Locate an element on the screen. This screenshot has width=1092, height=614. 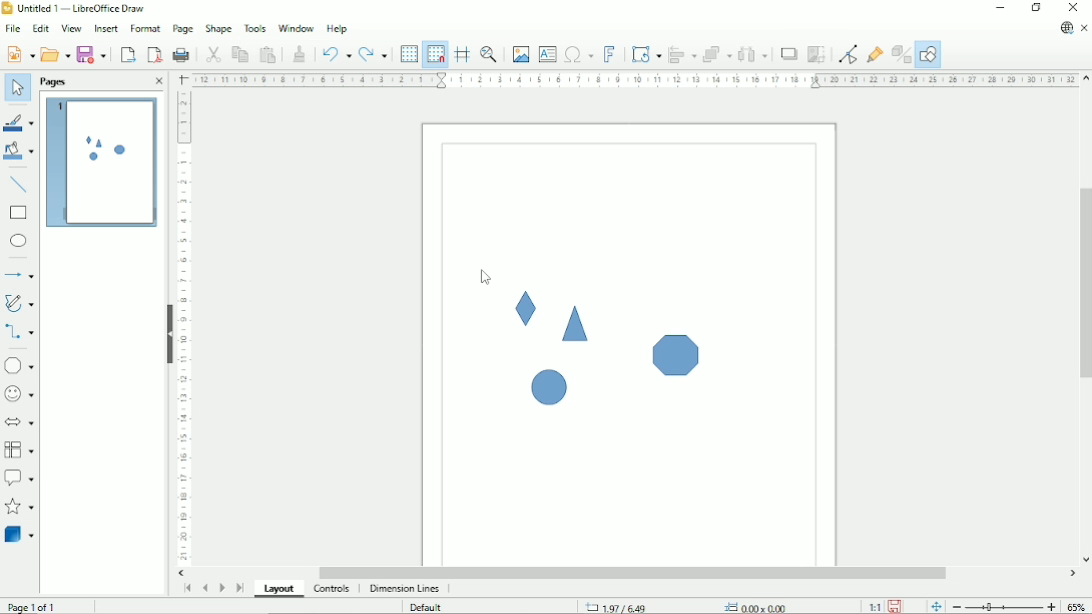
New is located at coordinates (20, 53).